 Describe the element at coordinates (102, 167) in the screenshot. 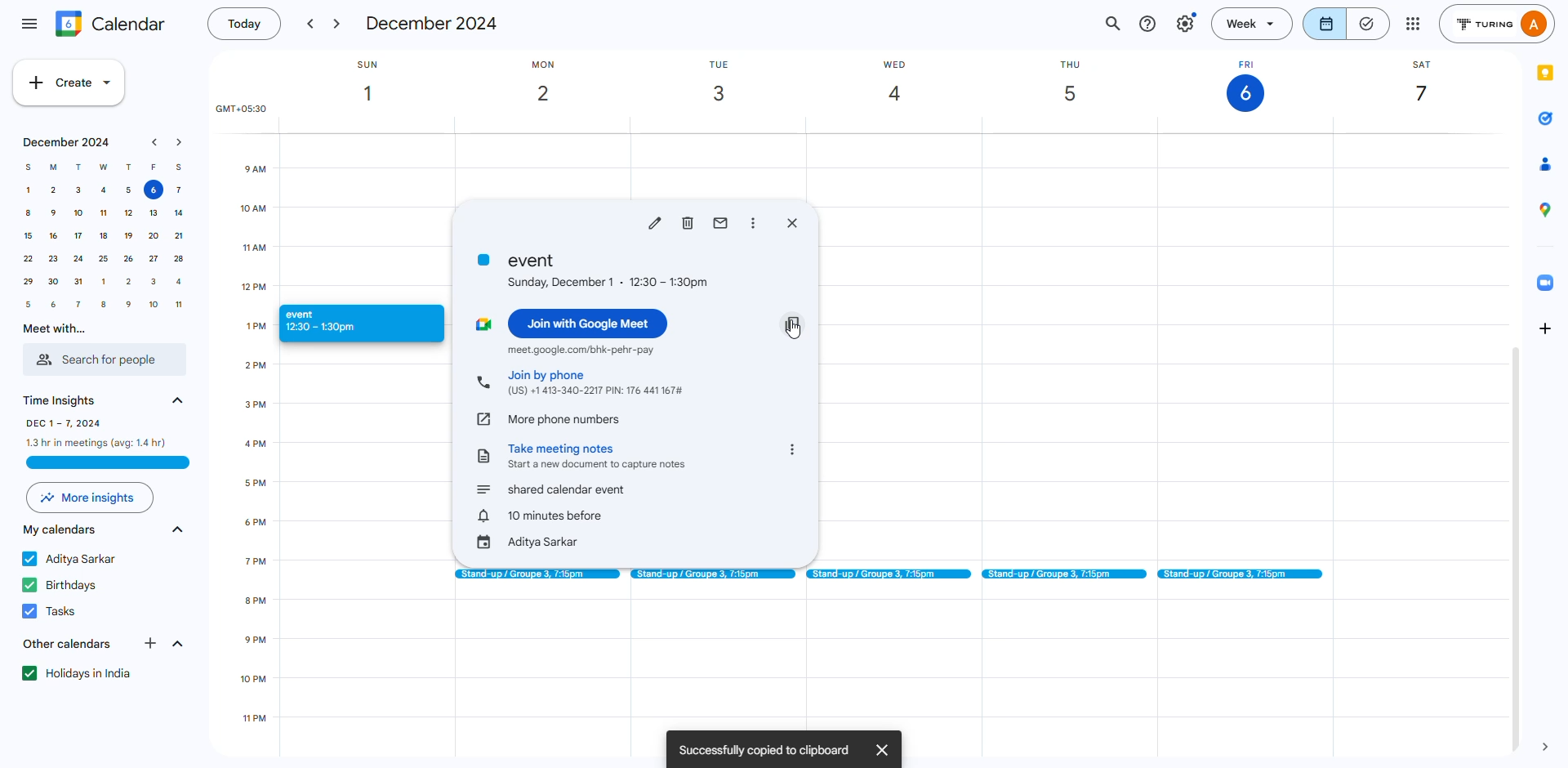

I see `w` at that location.